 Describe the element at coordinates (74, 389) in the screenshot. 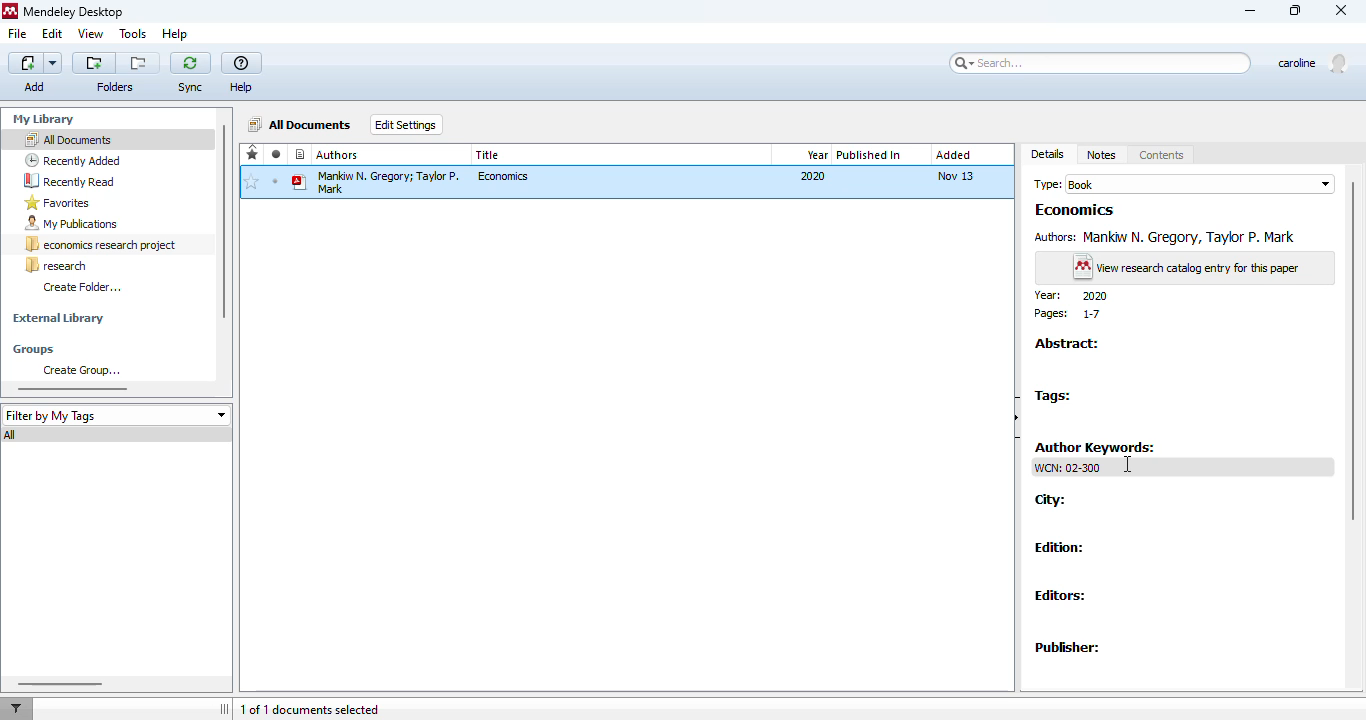

I see `horizontal scroll bar` at that location.